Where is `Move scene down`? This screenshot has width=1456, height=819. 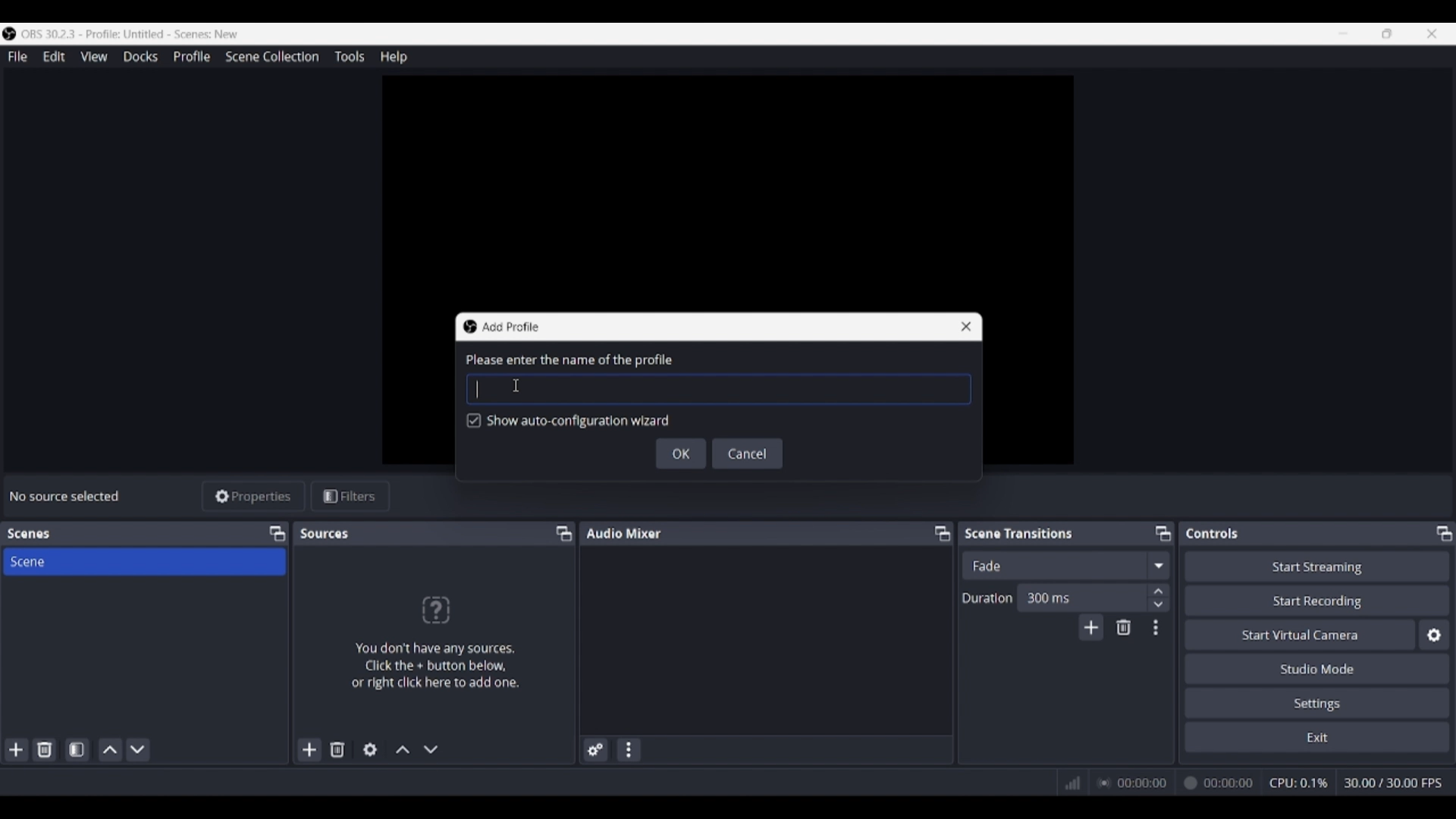
Move scene down is located at coordinates (137, 750).